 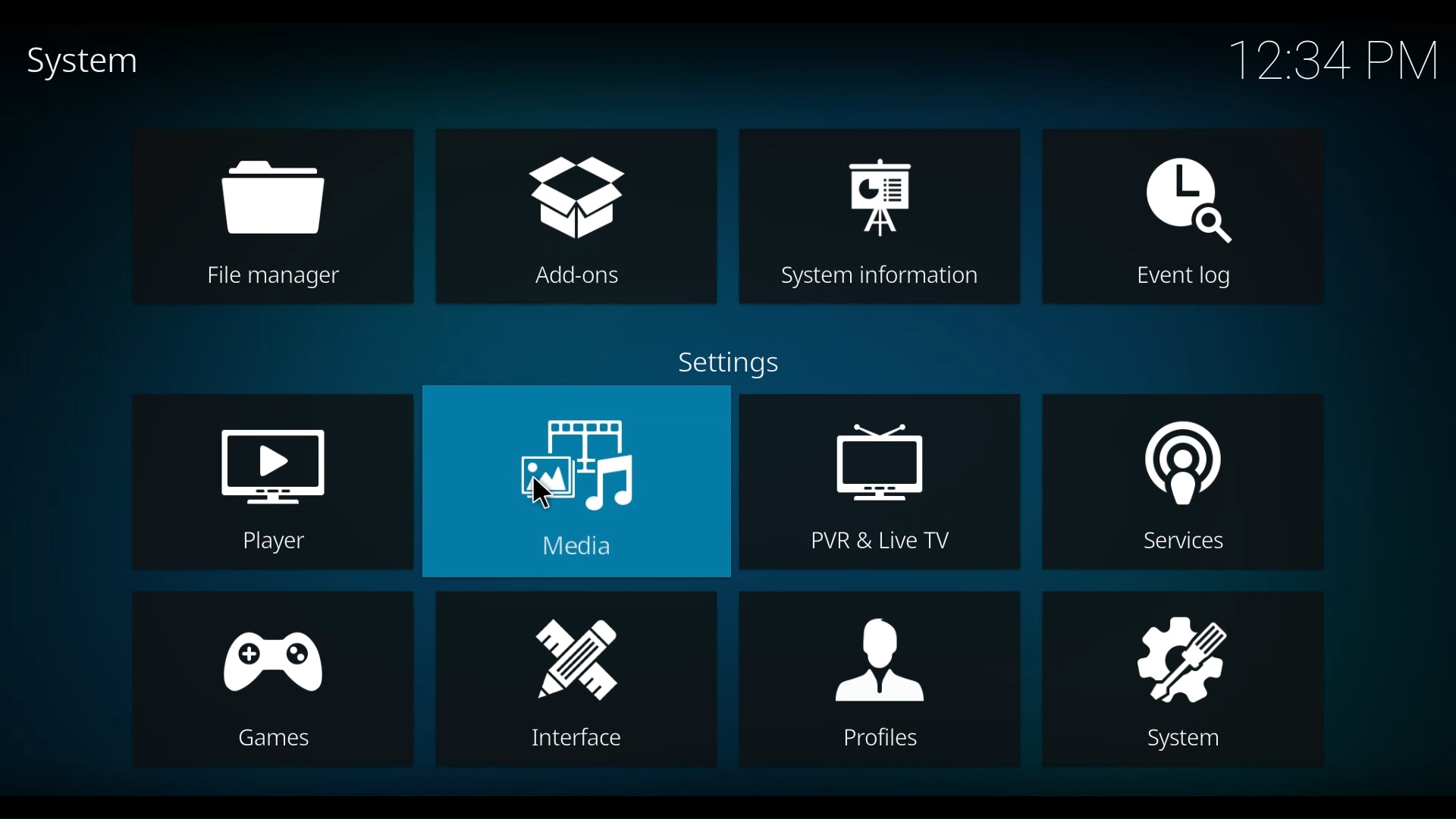 I want to click on Event log, so click(x=1182, y=216).